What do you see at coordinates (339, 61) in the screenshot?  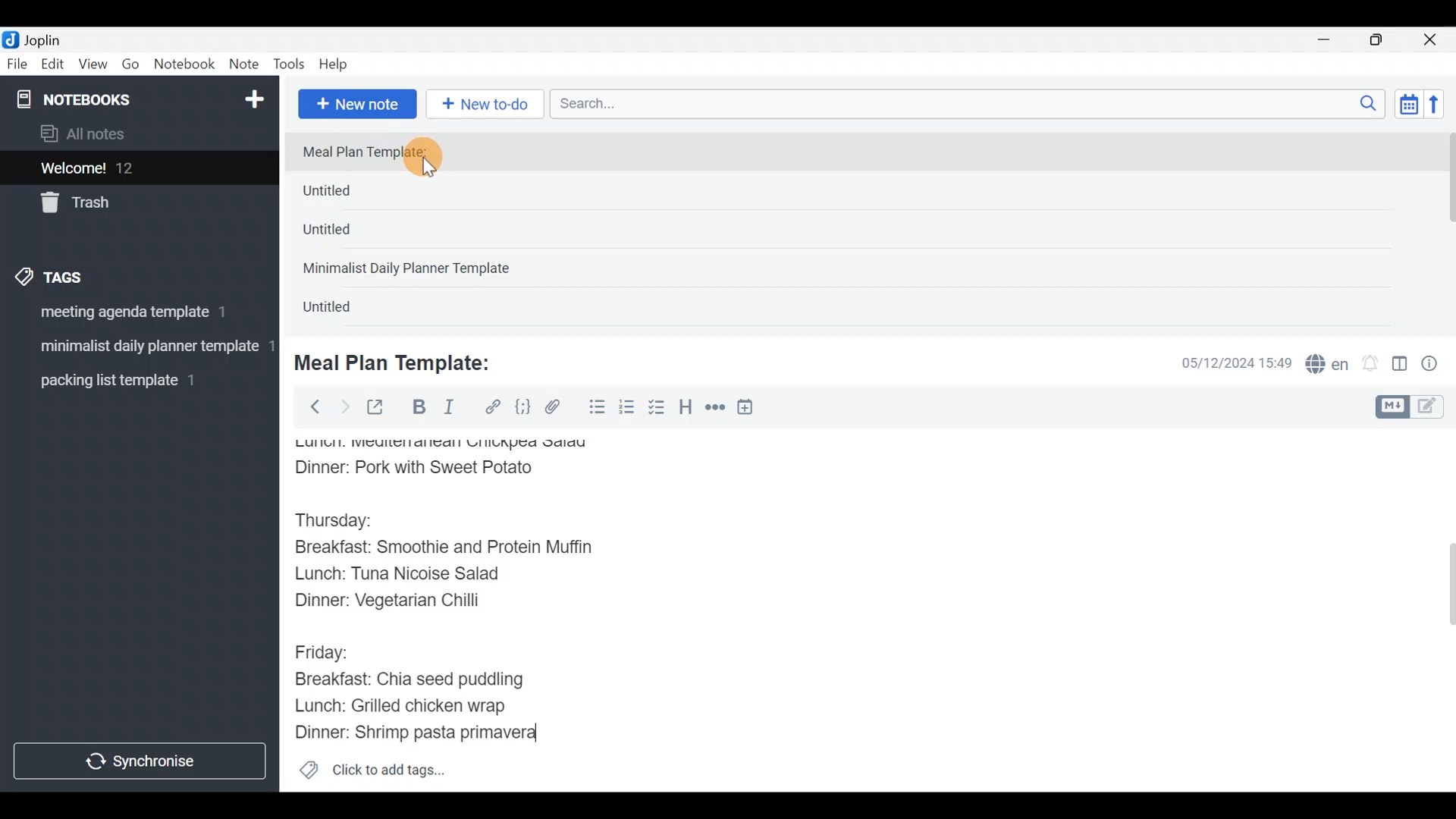 I see `Help` at bounding box center [339, 61].